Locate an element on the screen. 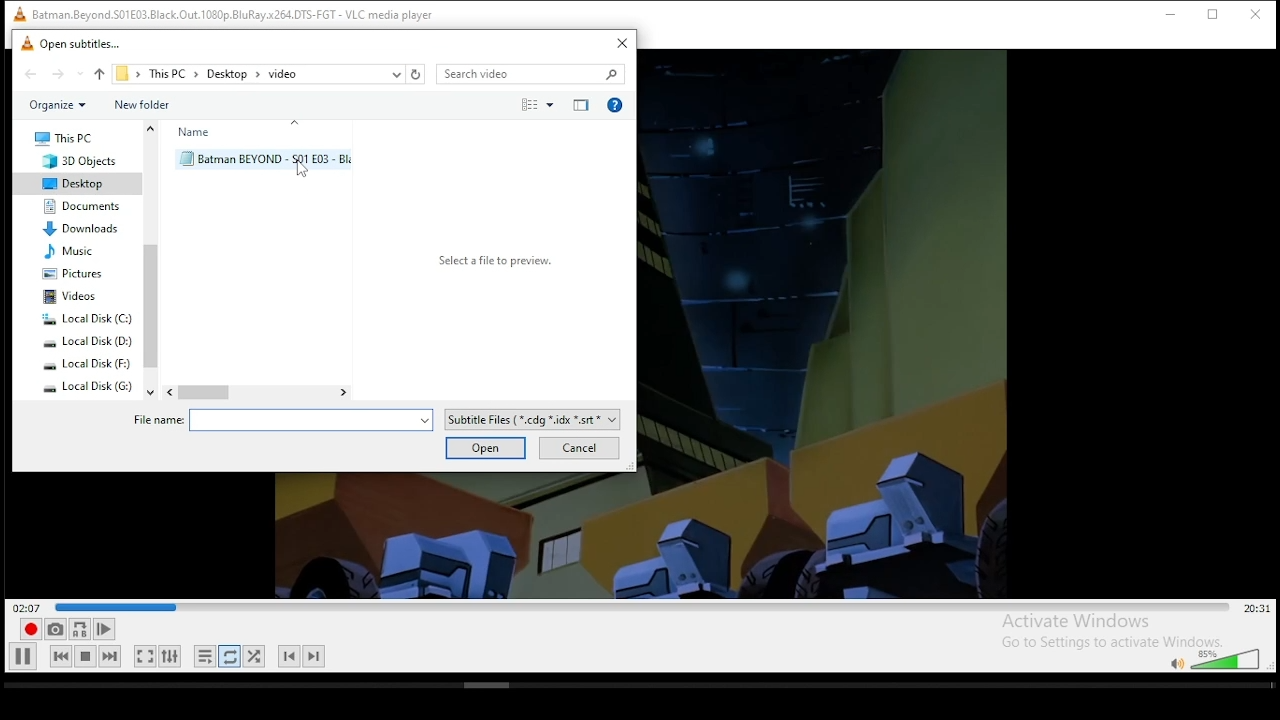 Image resolution: width=1280 pixels, height=720 pixels. show extended settings is located at coordinates (170, 656).